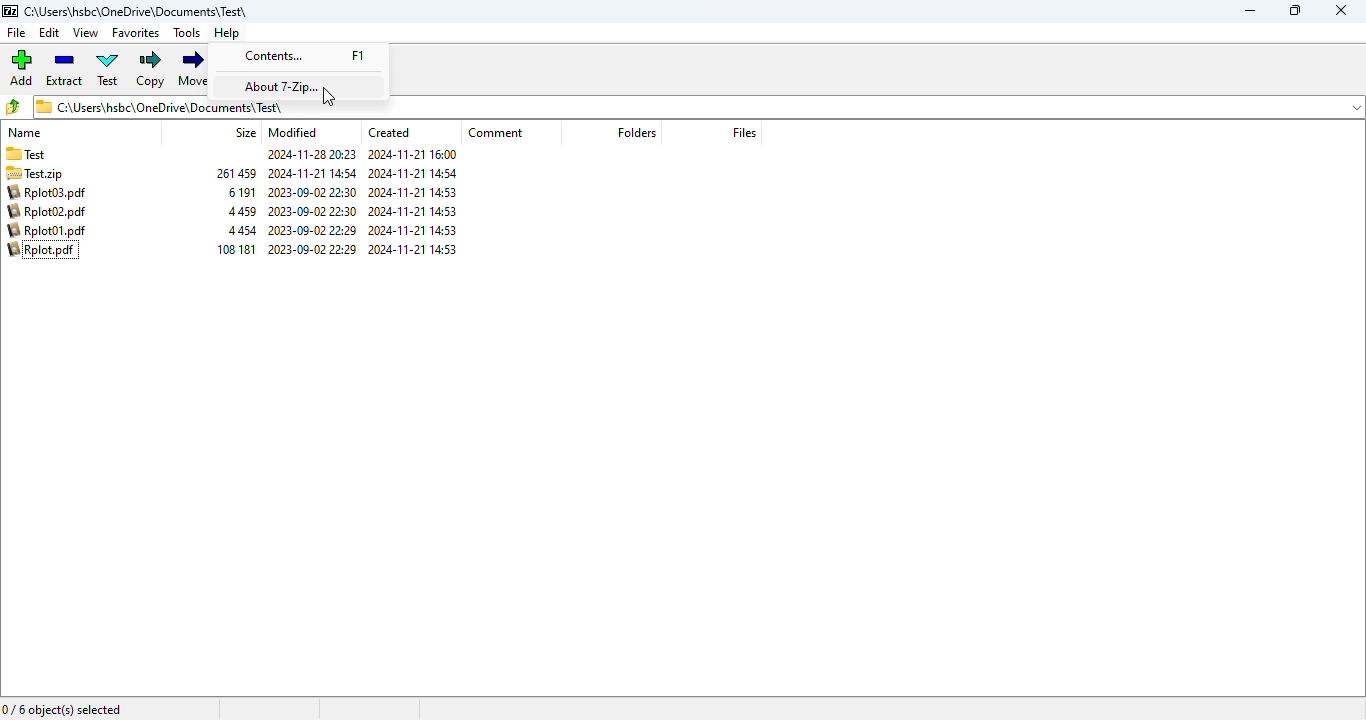  Describe the element at coordinates (49, 33) in the screenshot. I see `edit` at that location.